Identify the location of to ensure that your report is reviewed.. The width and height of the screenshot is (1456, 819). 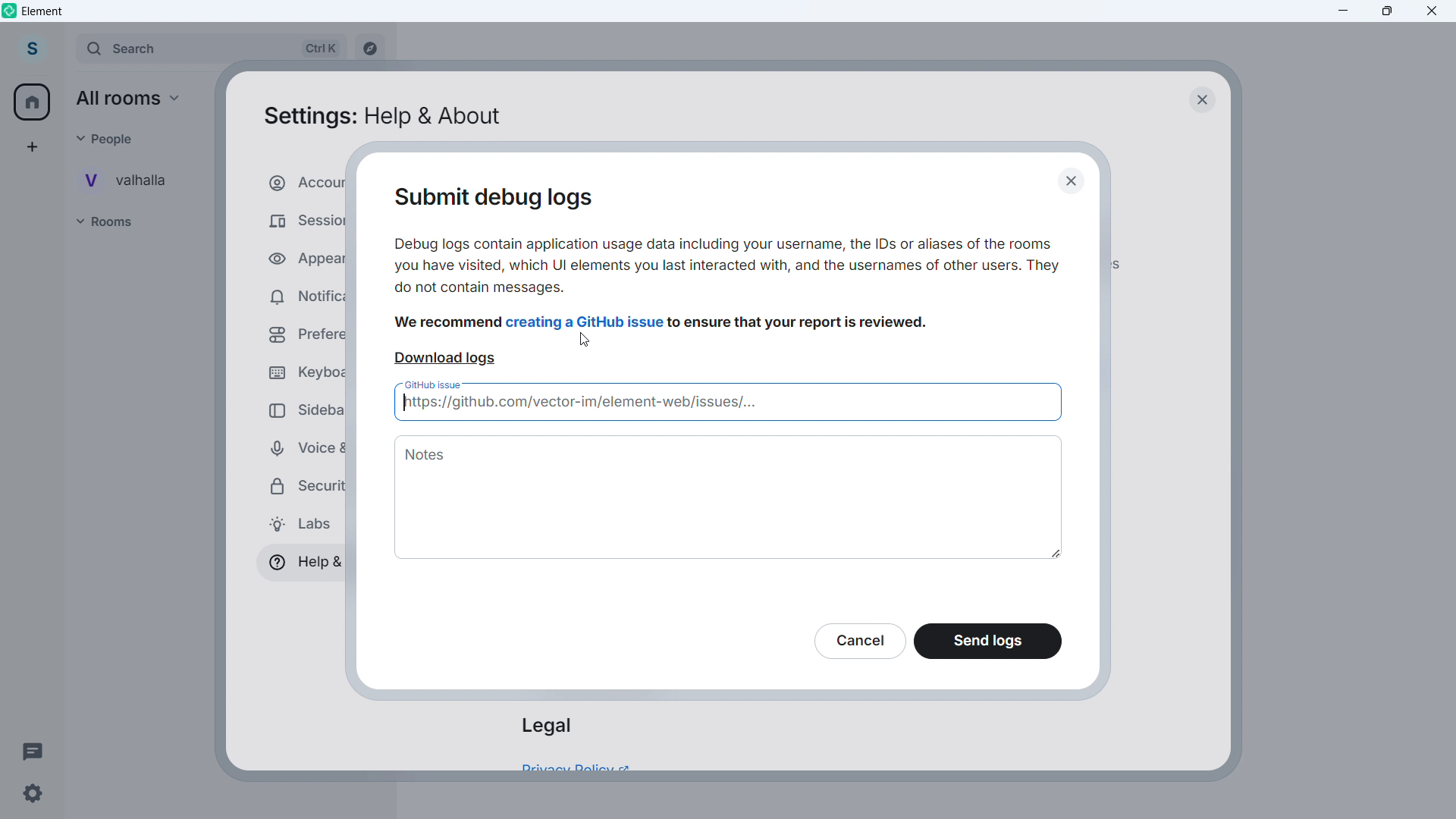
(800, 324).